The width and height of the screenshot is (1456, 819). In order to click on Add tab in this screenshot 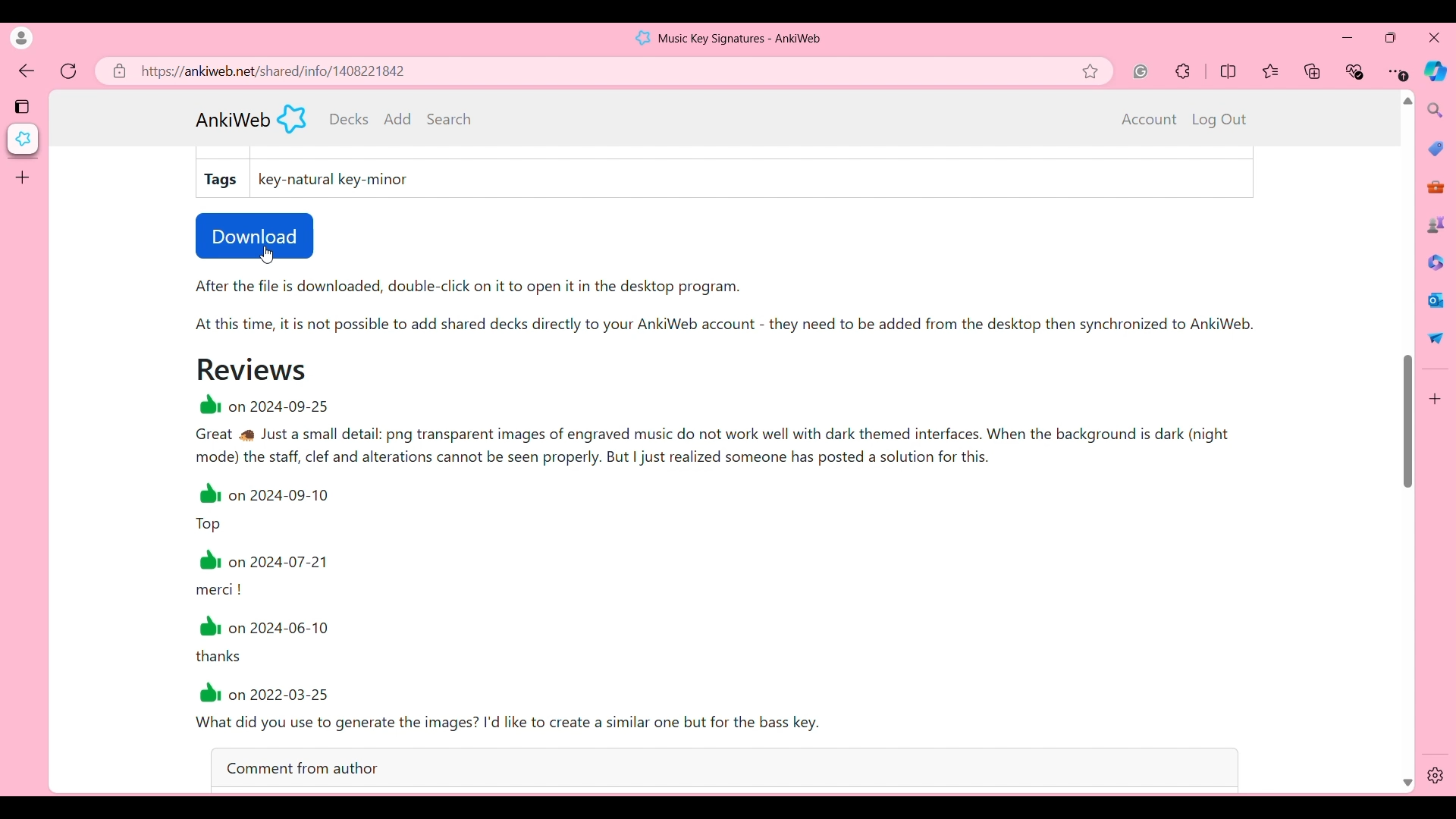, I will do `click(22, 177)`.